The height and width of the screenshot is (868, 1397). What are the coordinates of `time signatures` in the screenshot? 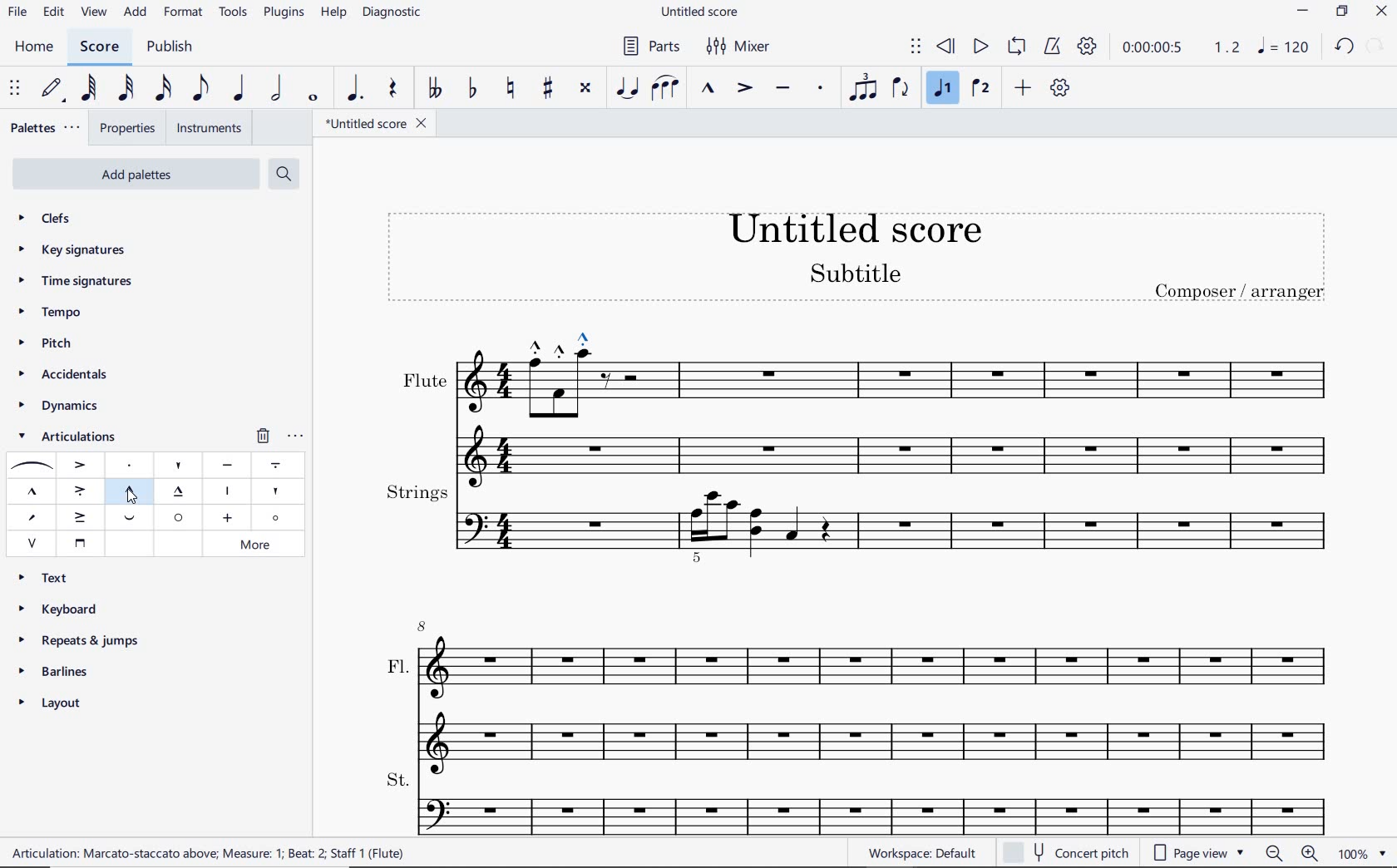 It's located at (74, 279).